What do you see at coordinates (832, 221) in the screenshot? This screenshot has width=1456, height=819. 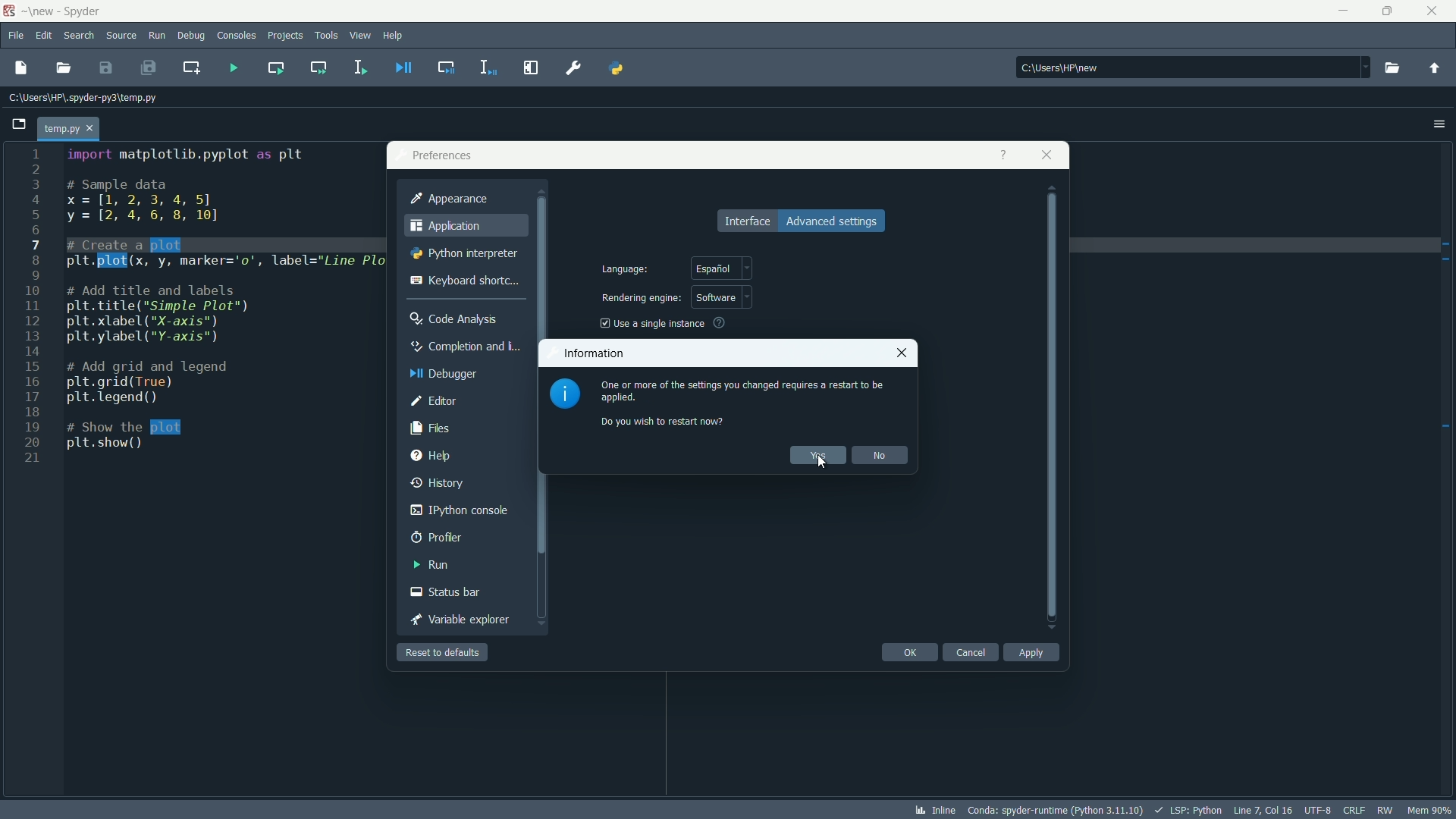 I see `advance settings` at bounding box center [832, 221].